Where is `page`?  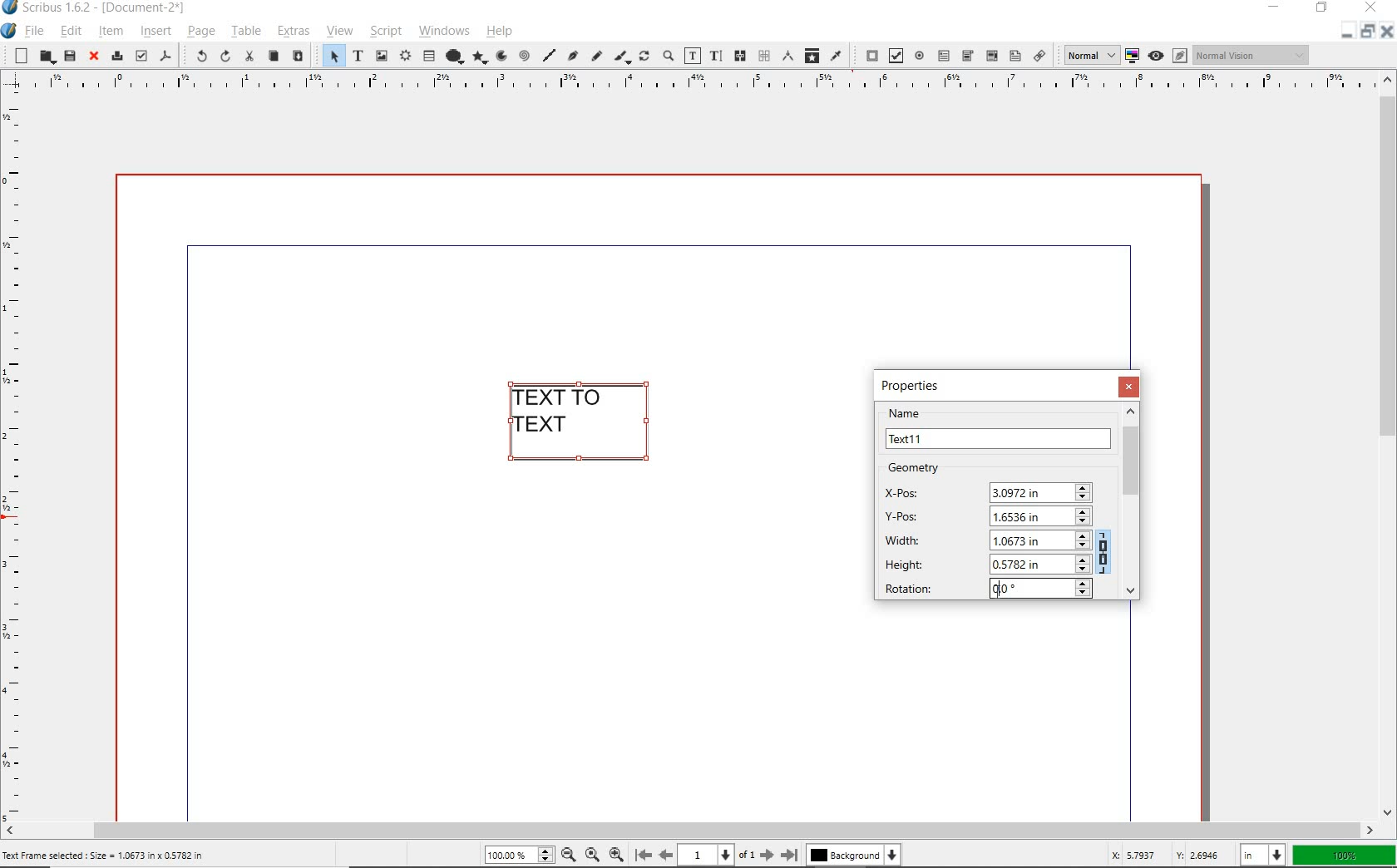
page is located at coordinates (200, 33).